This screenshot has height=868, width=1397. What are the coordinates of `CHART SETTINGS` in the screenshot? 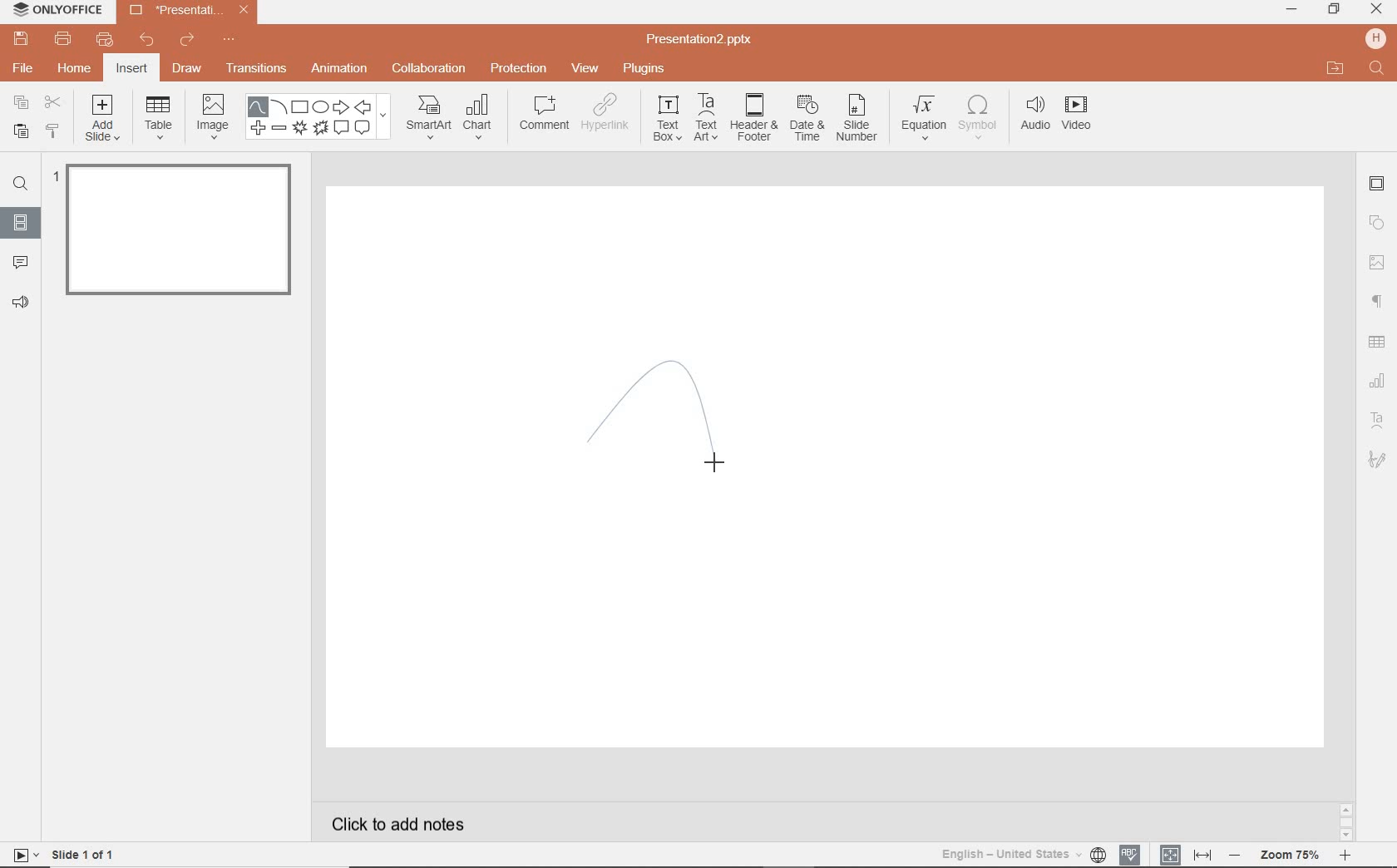 It's located at (1380, 379).